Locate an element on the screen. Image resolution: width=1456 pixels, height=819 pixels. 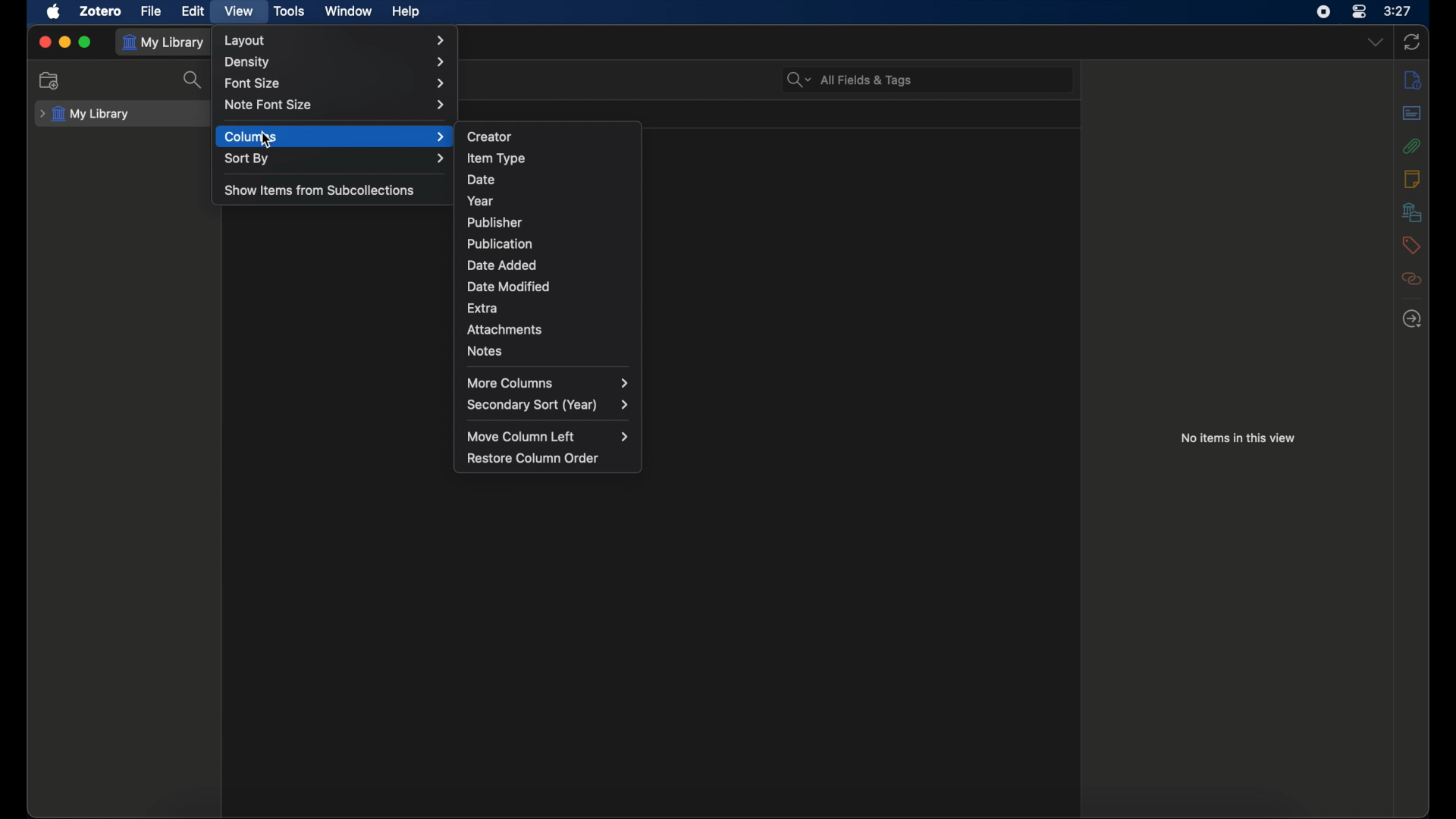
creator is located at coordinates (490, 136).